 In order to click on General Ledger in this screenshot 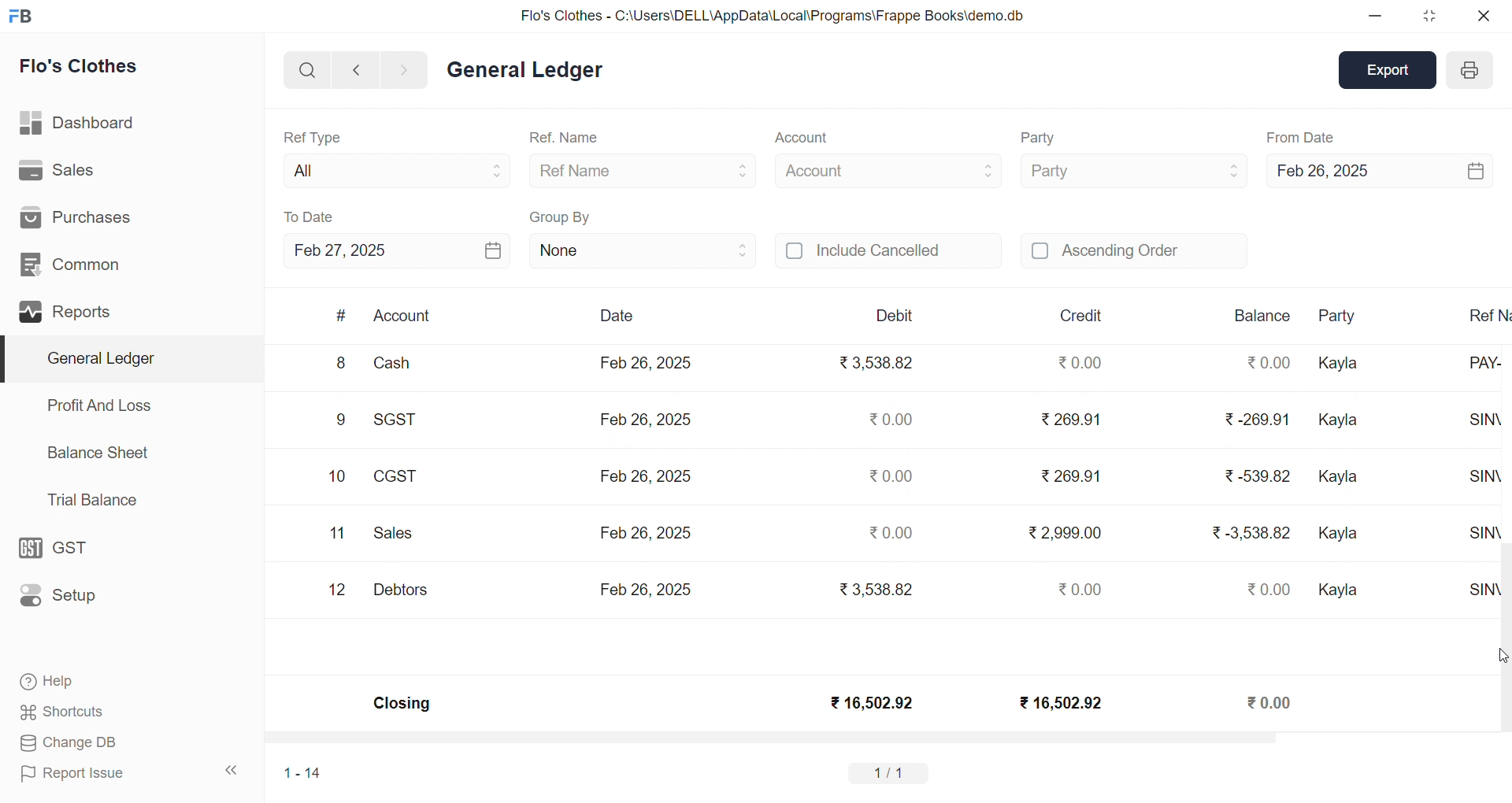, I will do `click(524, 71)`.